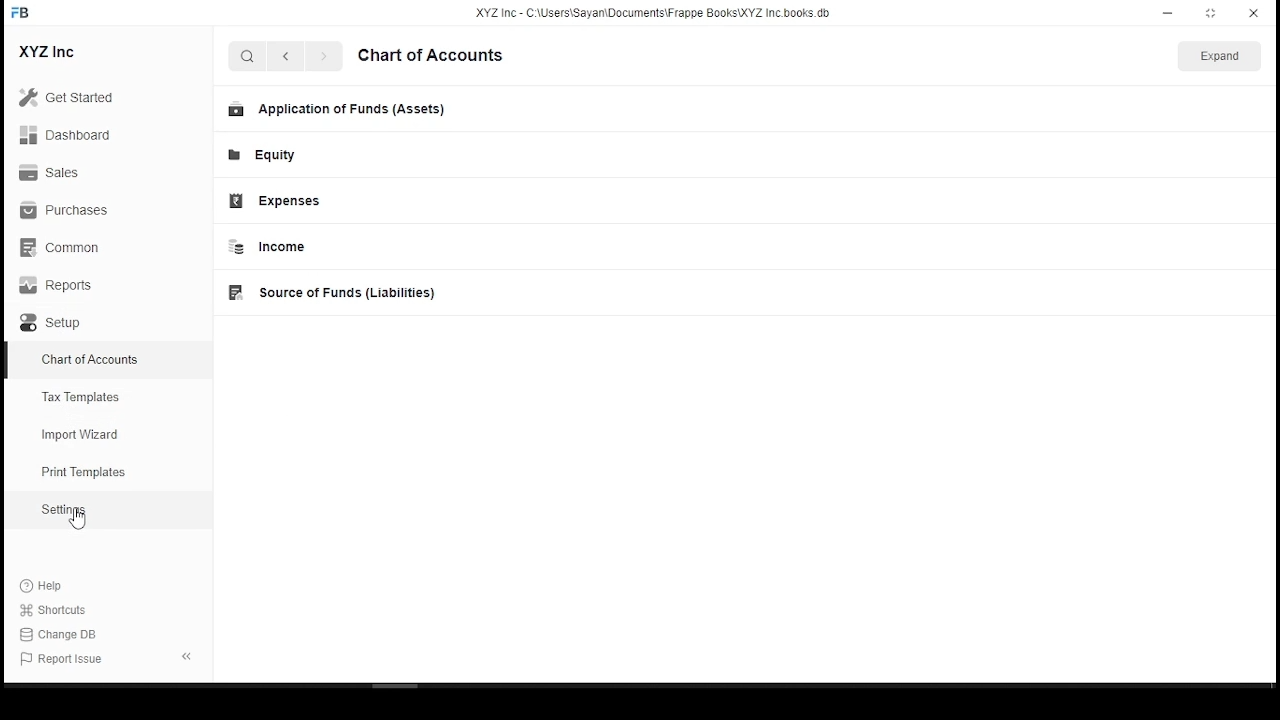 The image size is (1280, 720). What do you see at coordinates (95, 360) in the screenshot?
I see `chart of accountes` at bounding box center [95, 360].